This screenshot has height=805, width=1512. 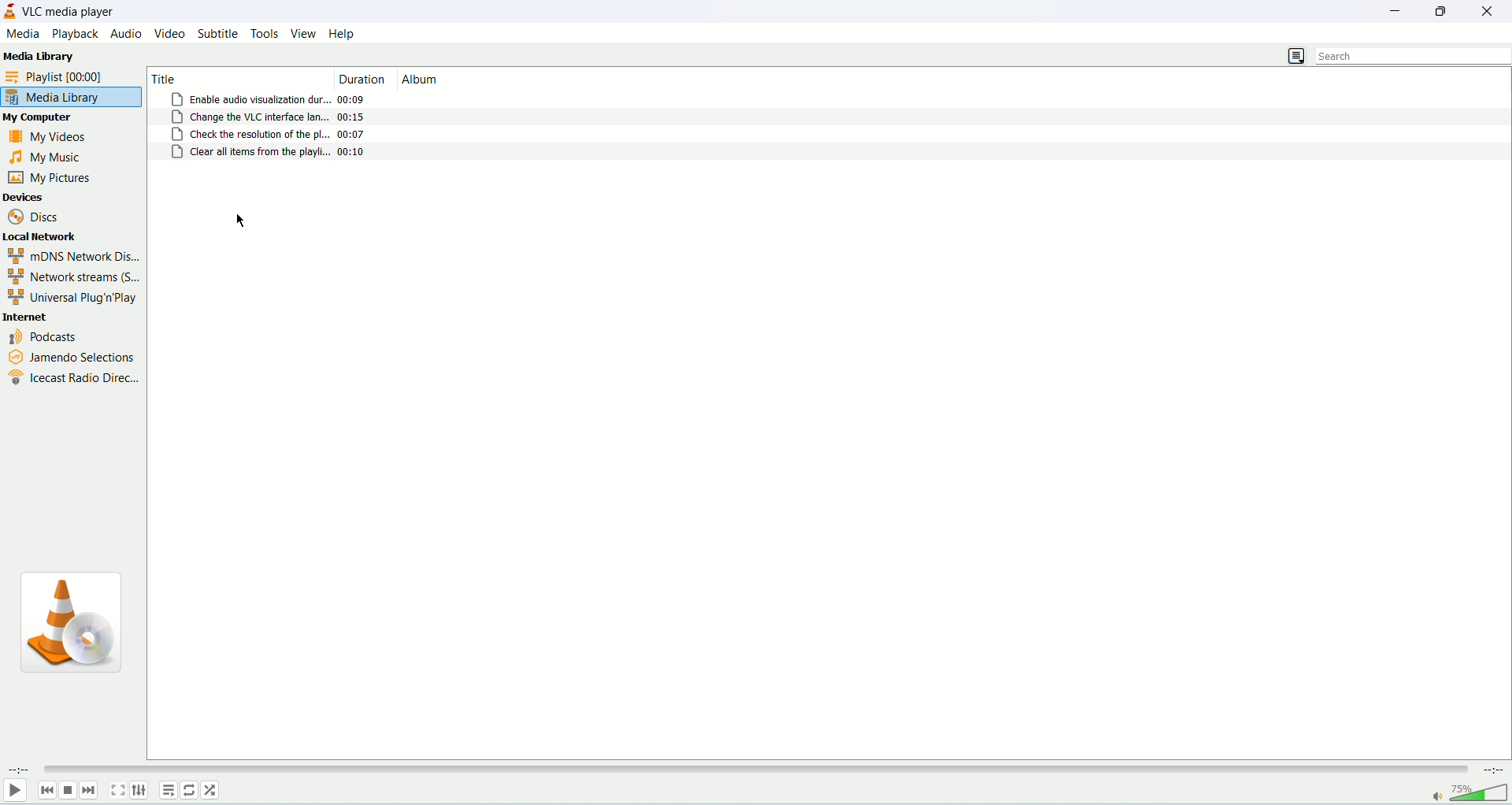 What do you see at coordinates (128, 32) in the screenshot?
I see `audio` at bounding box center [128, 32].